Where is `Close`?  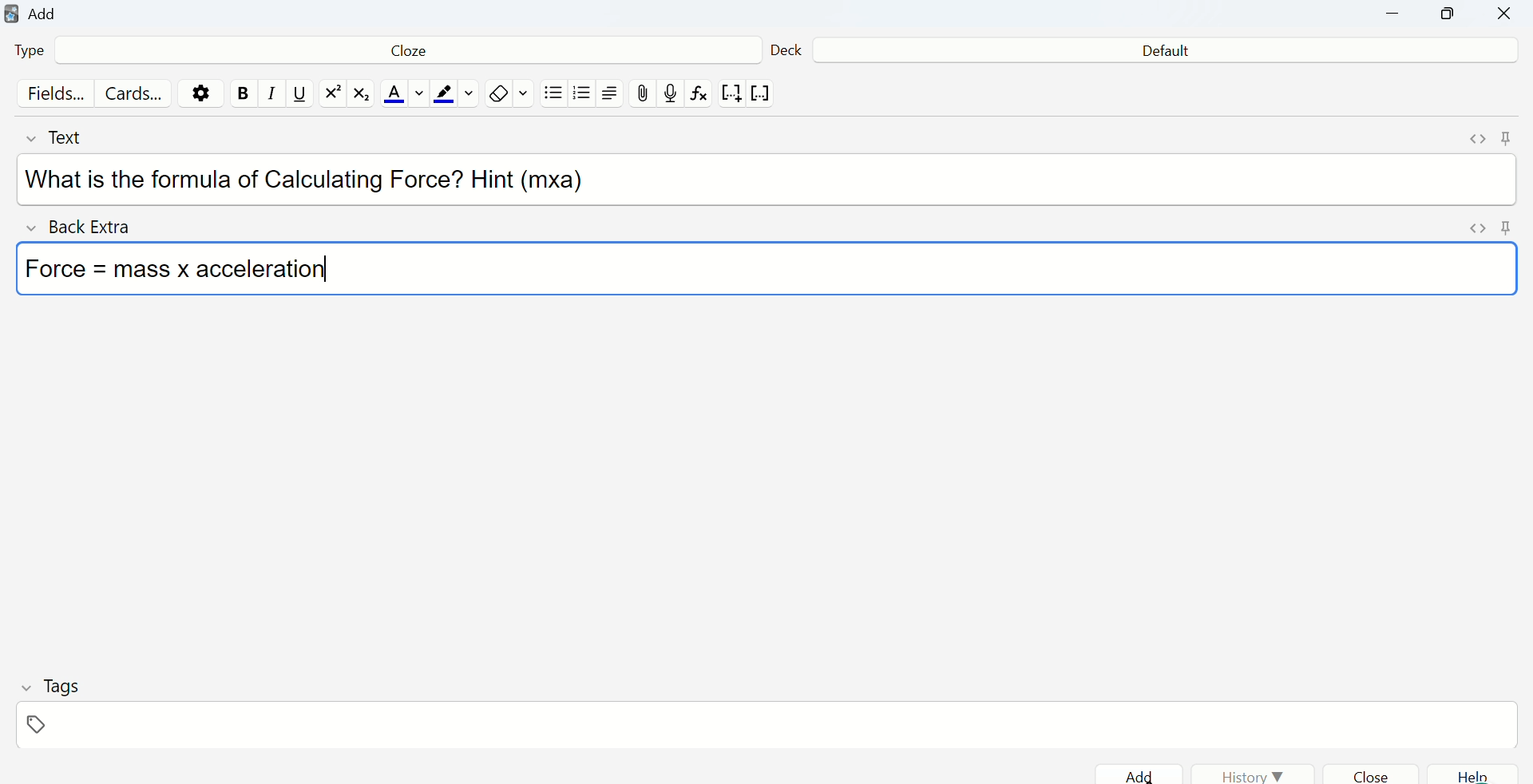
Close is located at coordinates (1503, 16).